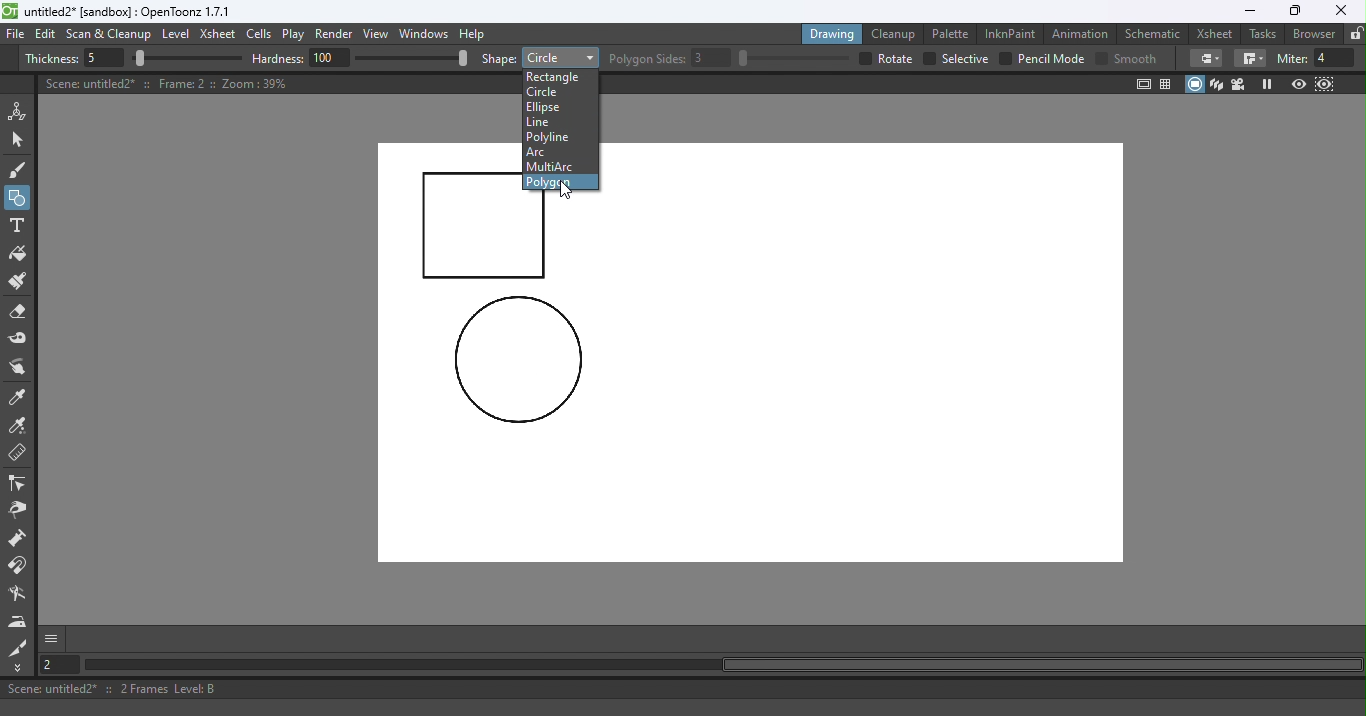 Image resolution: width=1366 pixels, height=716 pixels. What do you see at coordinates (51, 638) in the screenshot?
I see `More options` at bounding box center [51, 638].